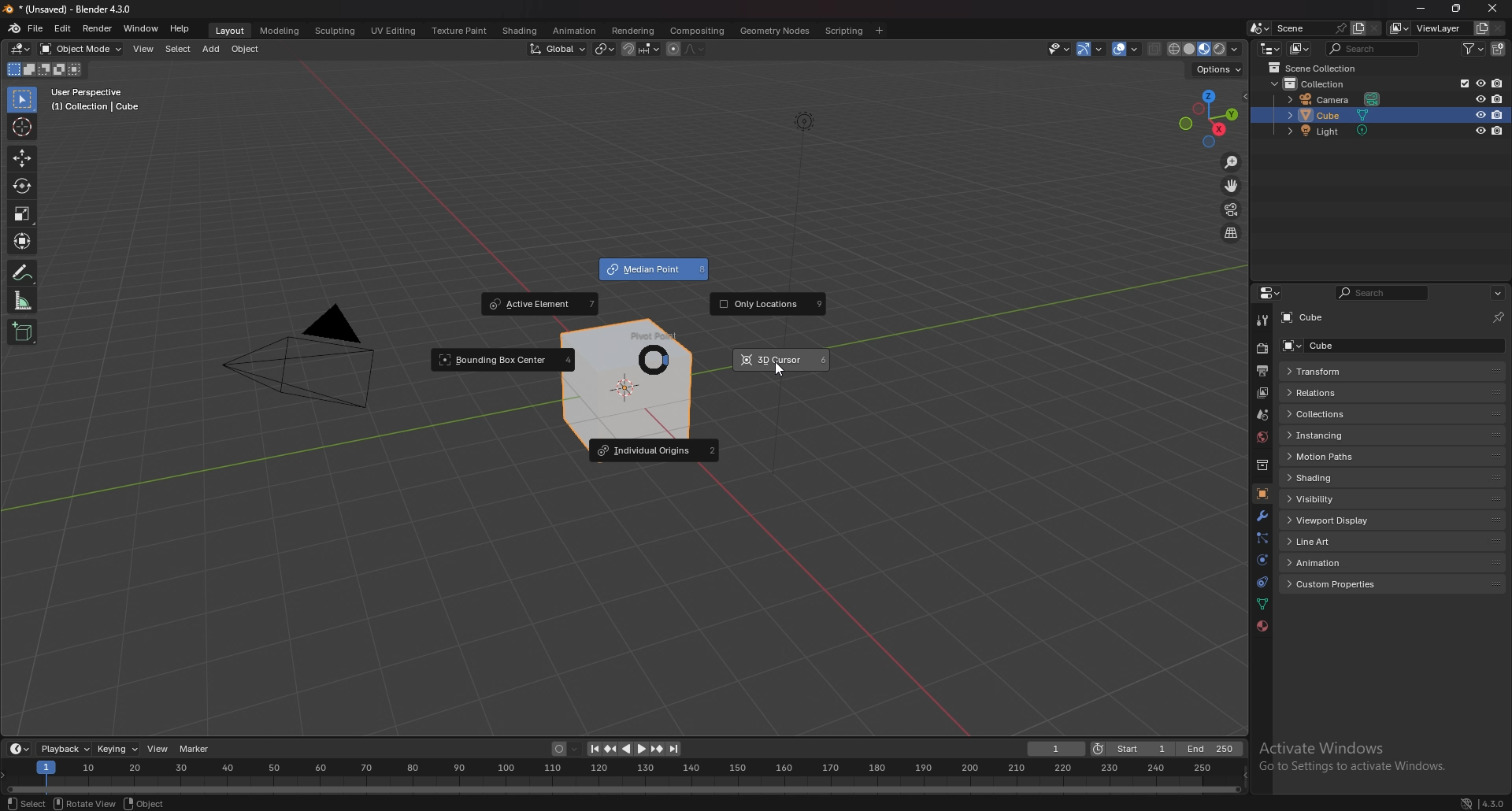  Describe the element at coordinates (1381, 292) in the screenshot. I see `search` at that location.